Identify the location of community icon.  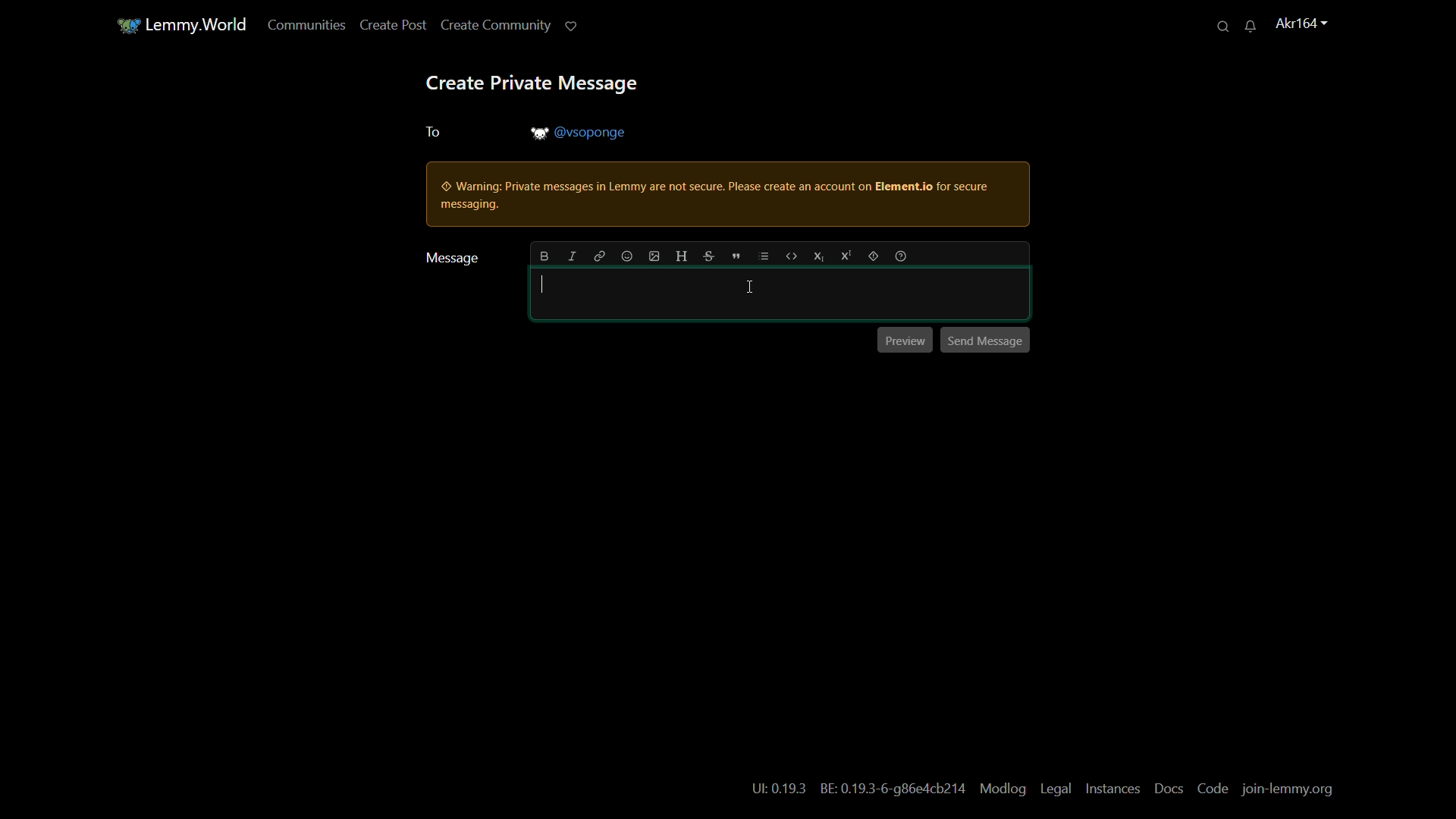
(118, 24).